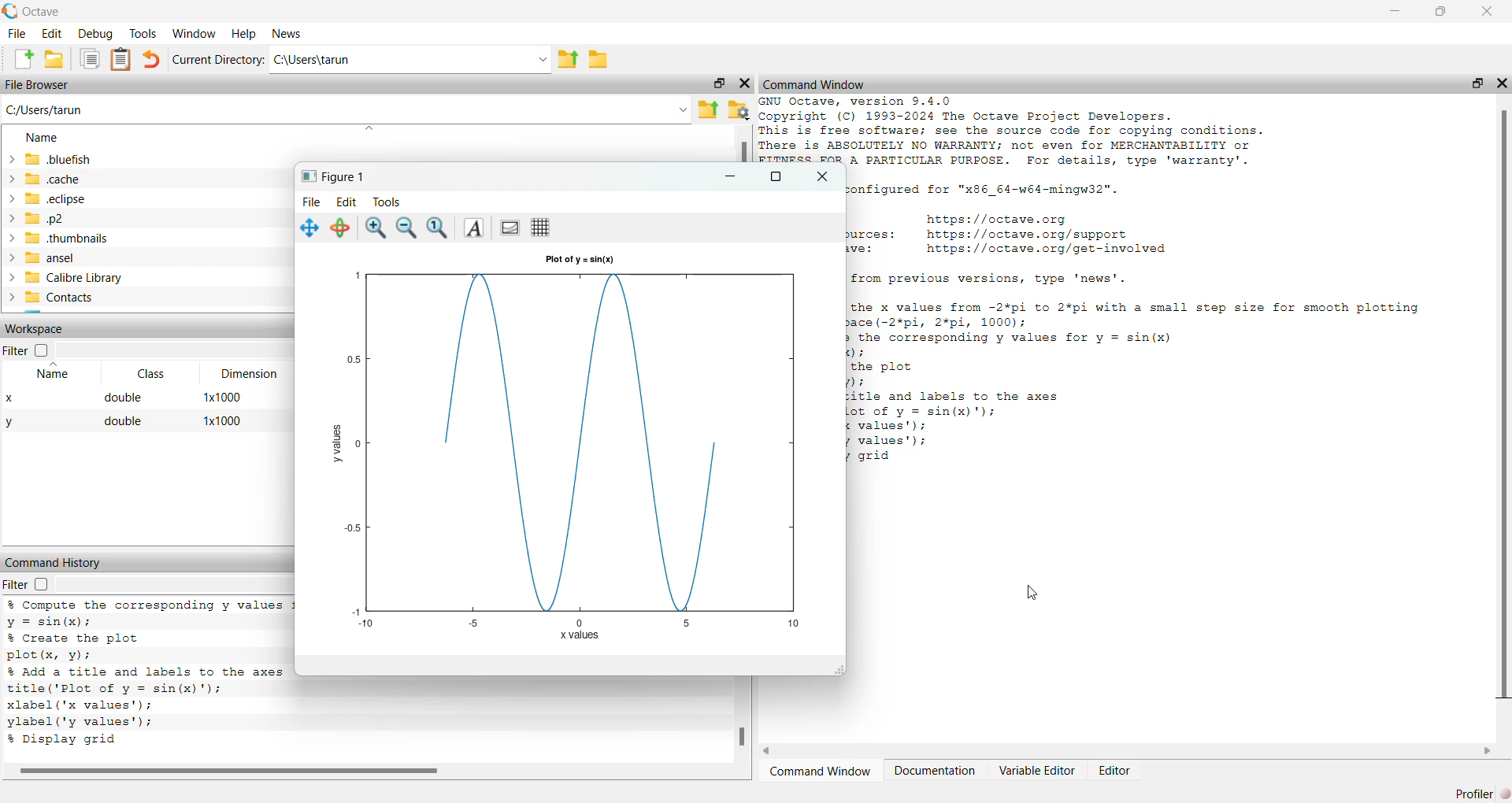 This screenshot has height=803, width=1512. Describe the element at coordinates (9, 11) in the screenshot. I see `logo` at that location.